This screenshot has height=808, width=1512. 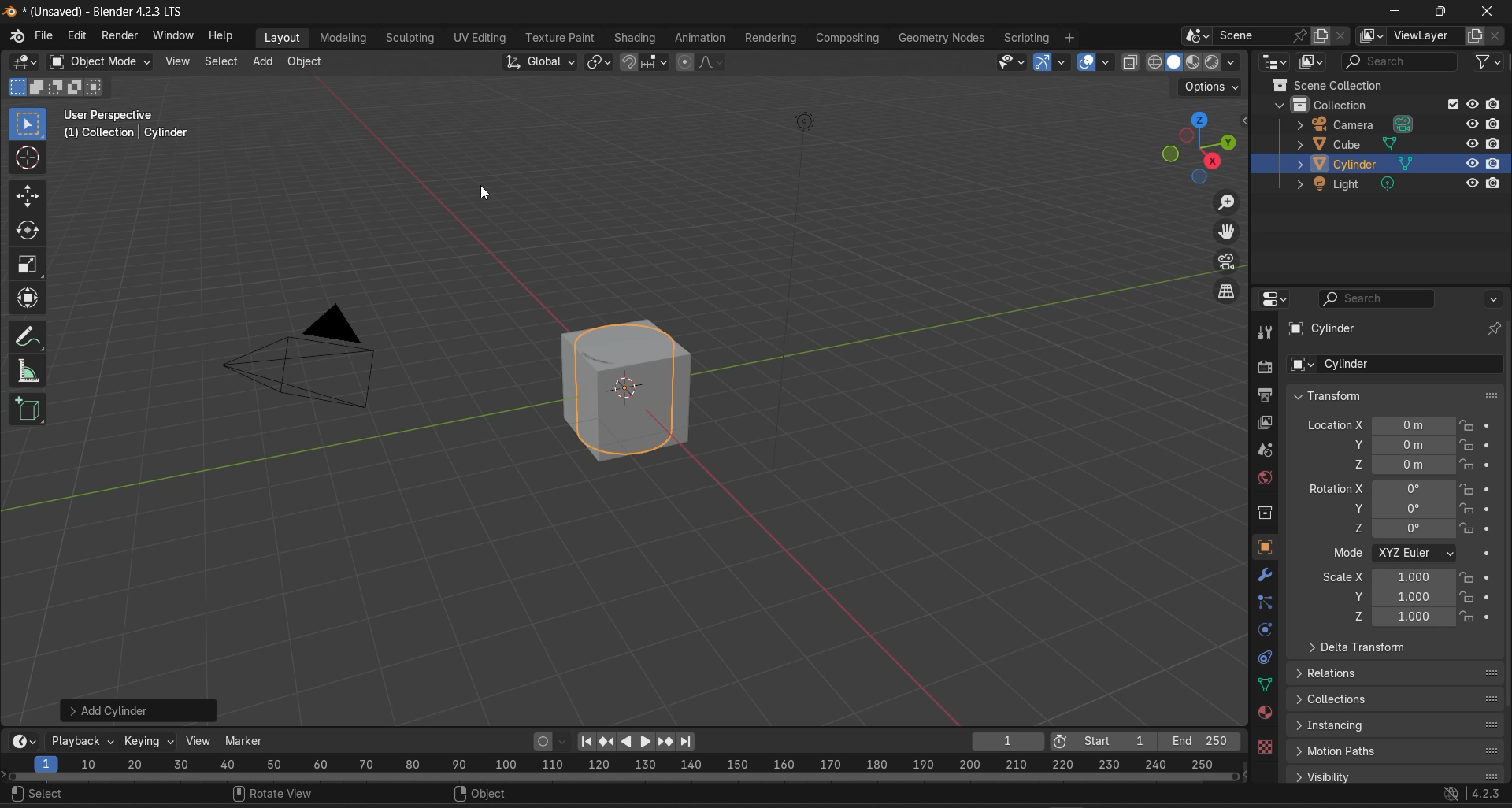 I want to click on rotate, so click(x=24, y=230).